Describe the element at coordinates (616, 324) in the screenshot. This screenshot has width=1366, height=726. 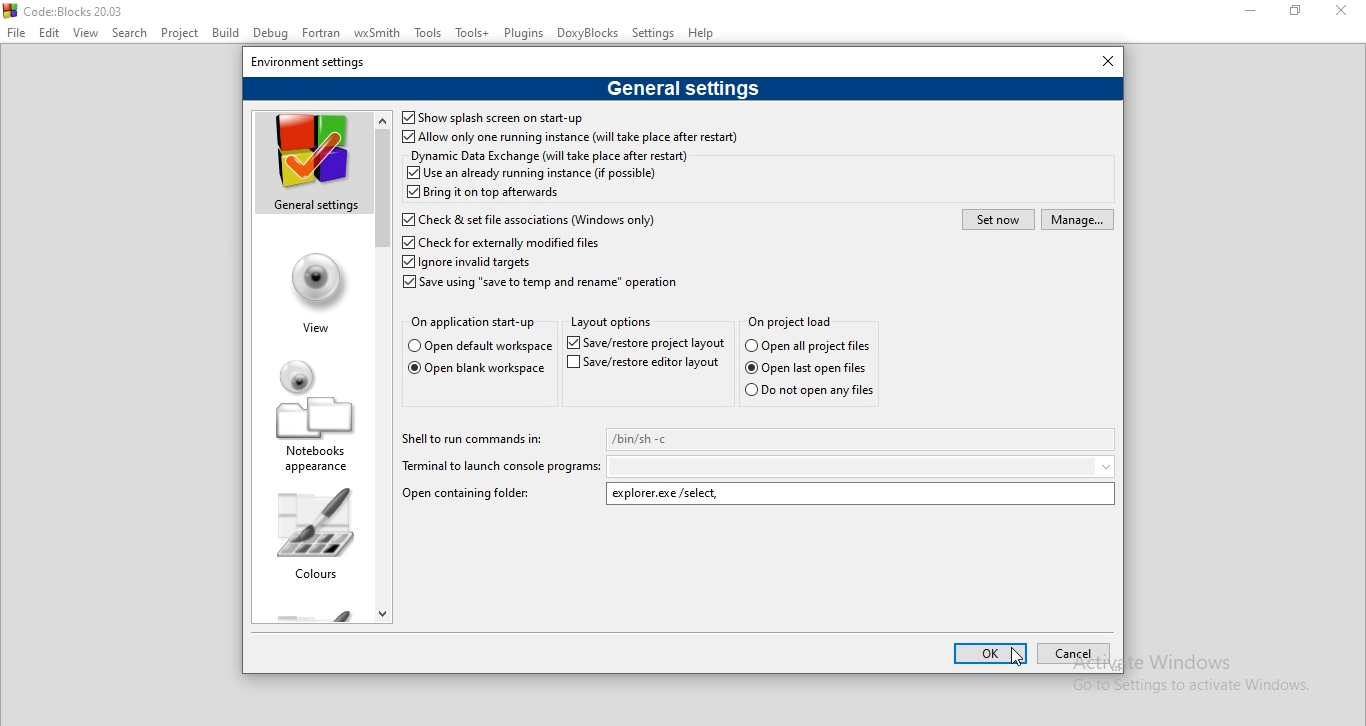
I see `Layout options` at that location.